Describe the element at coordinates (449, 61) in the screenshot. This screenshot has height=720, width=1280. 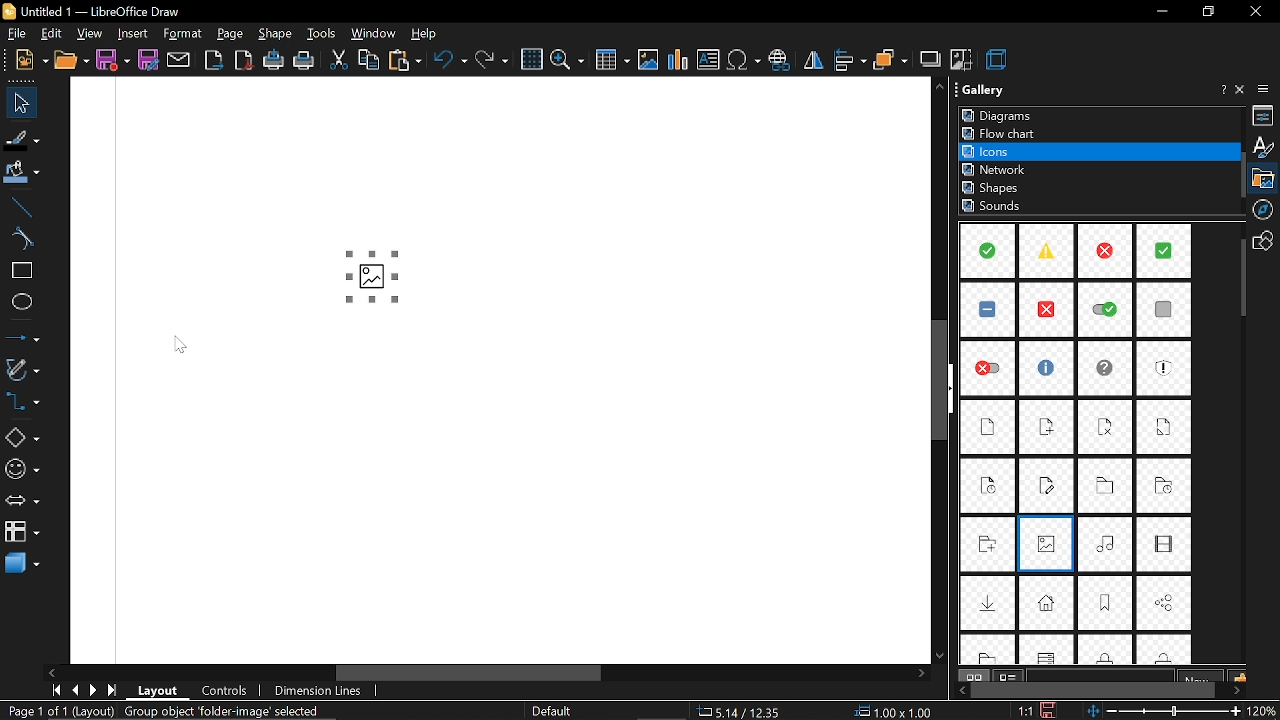
I see `undo` at that location.